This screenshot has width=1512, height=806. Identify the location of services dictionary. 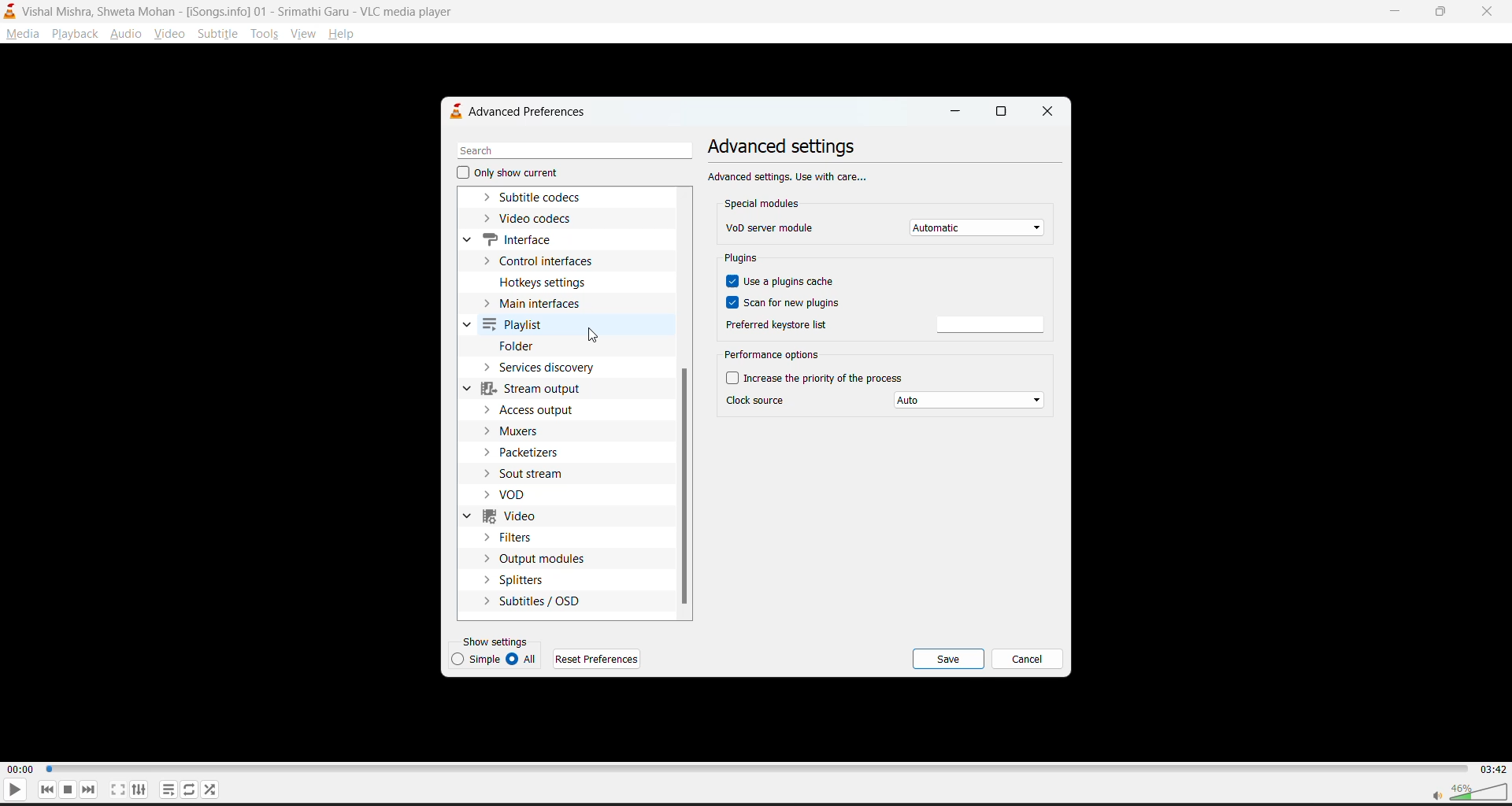
(553, 369).